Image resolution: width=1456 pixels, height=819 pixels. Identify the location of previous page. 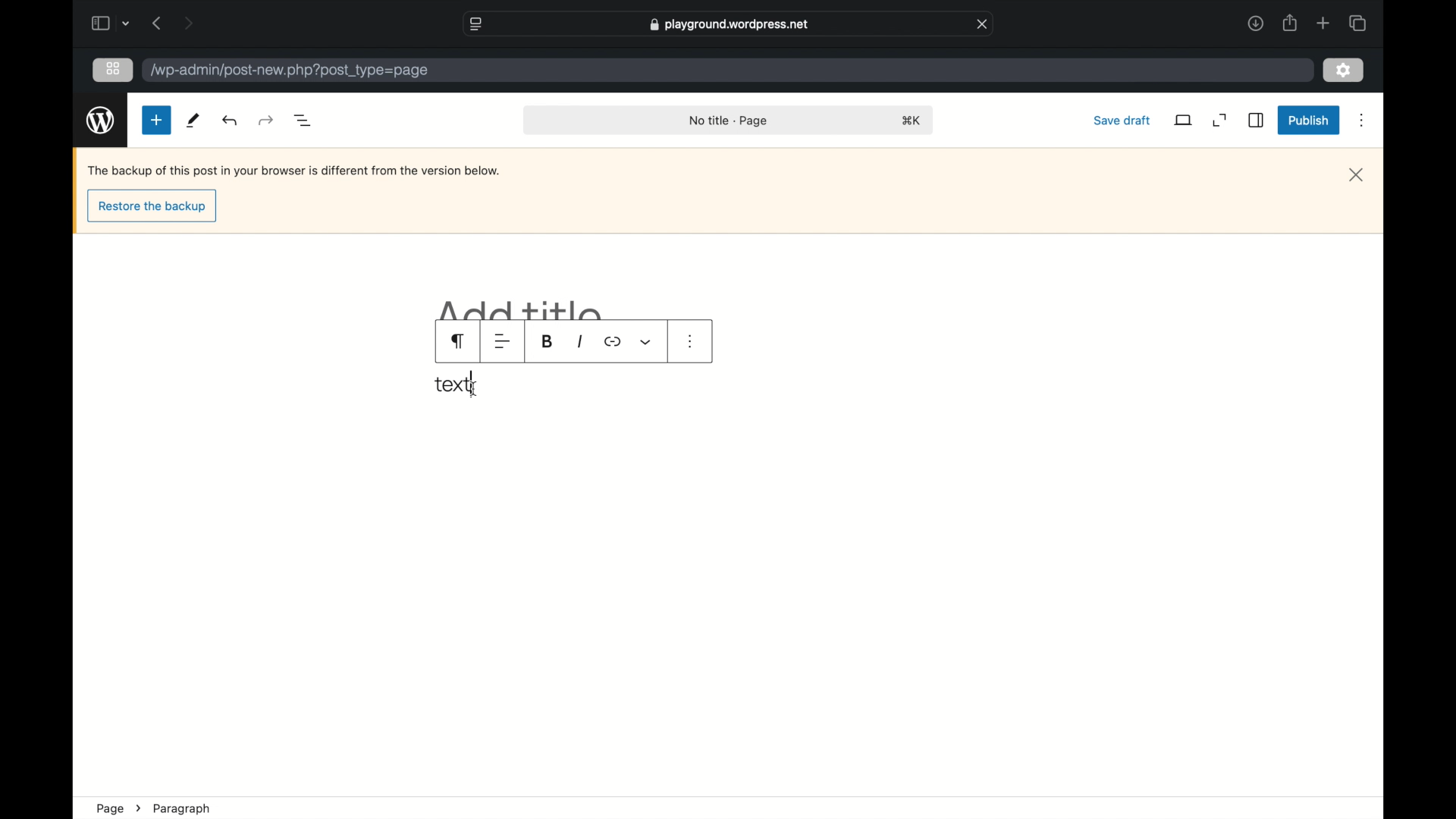
(156, 23).